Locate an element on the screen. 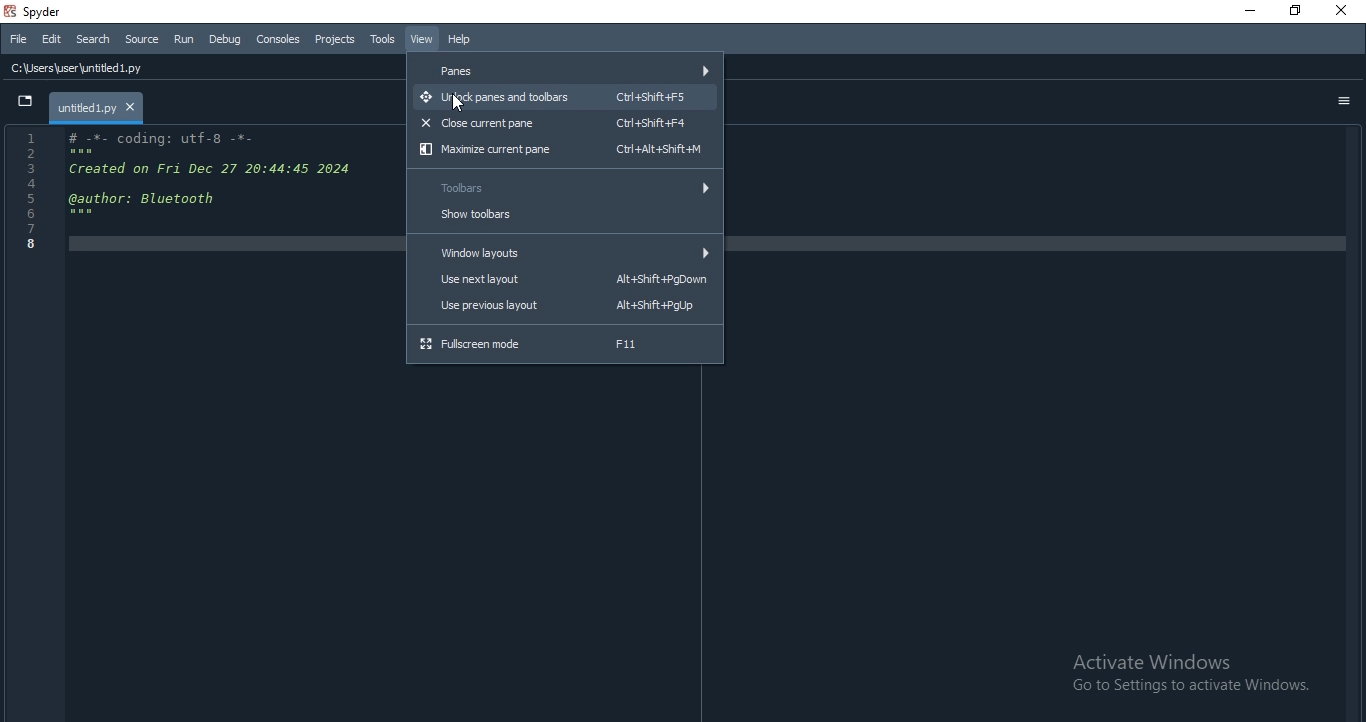 The image size is (1366, 722). Restore is located at coordinates (1295, 10).